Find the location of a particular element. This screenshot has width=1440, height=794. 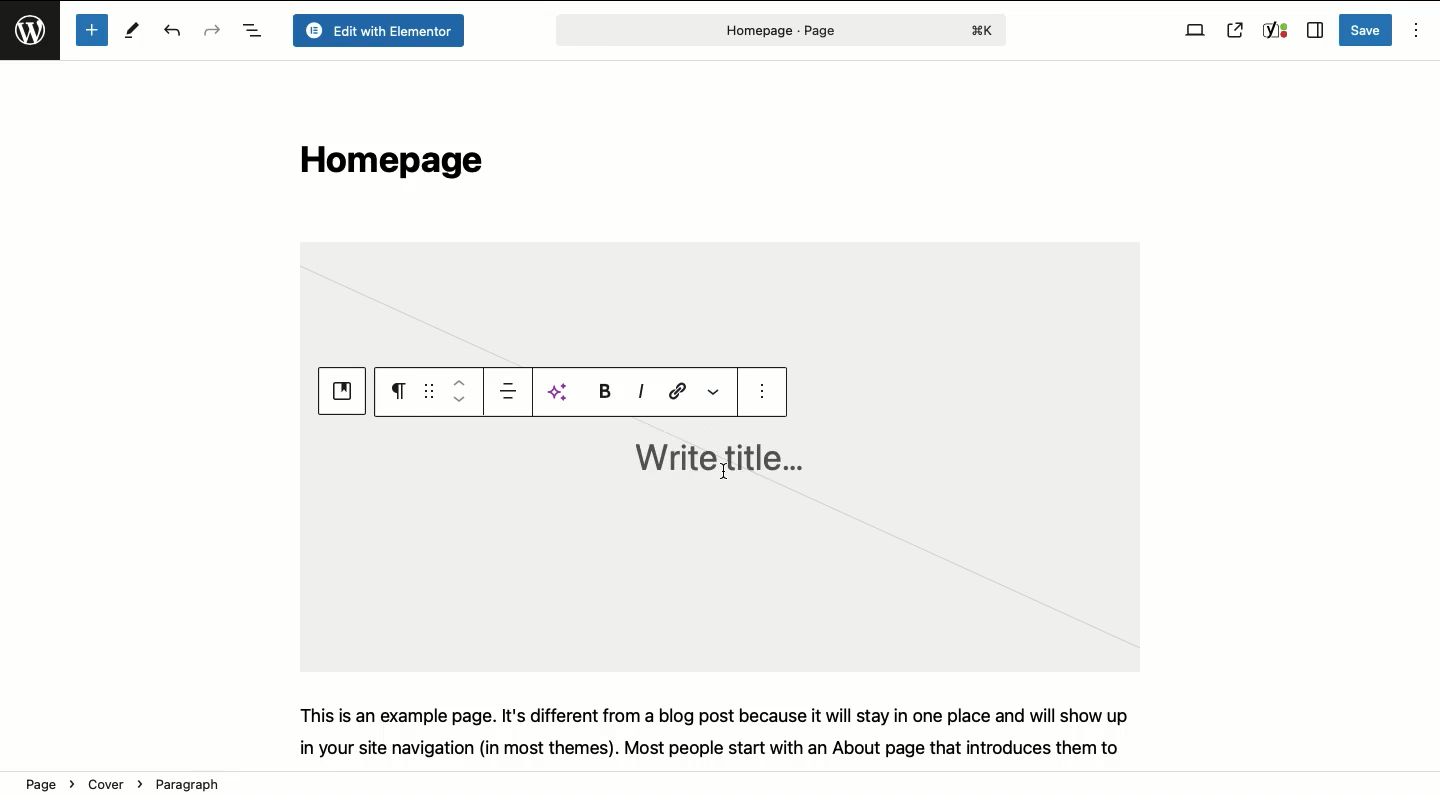

View page is located at coordinates (1235, 30).